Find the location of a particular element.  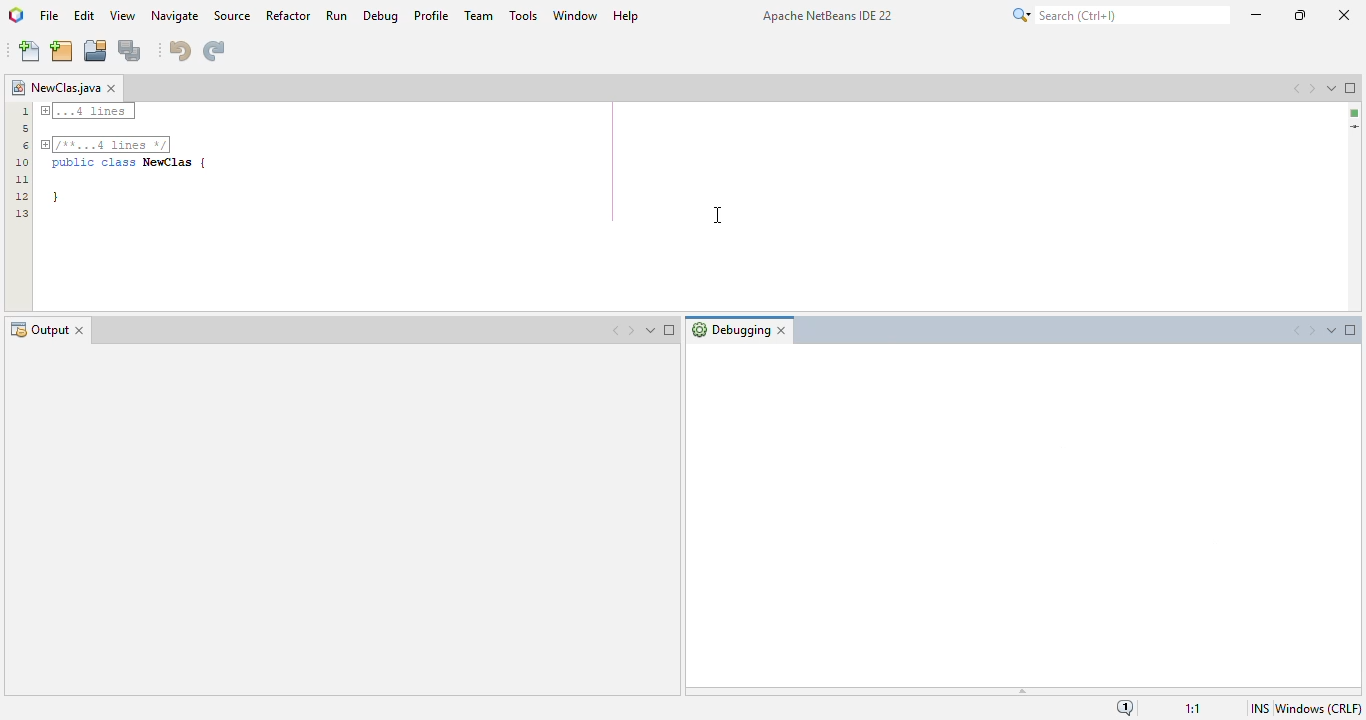

Maximize is located at coordinates (673, 332).